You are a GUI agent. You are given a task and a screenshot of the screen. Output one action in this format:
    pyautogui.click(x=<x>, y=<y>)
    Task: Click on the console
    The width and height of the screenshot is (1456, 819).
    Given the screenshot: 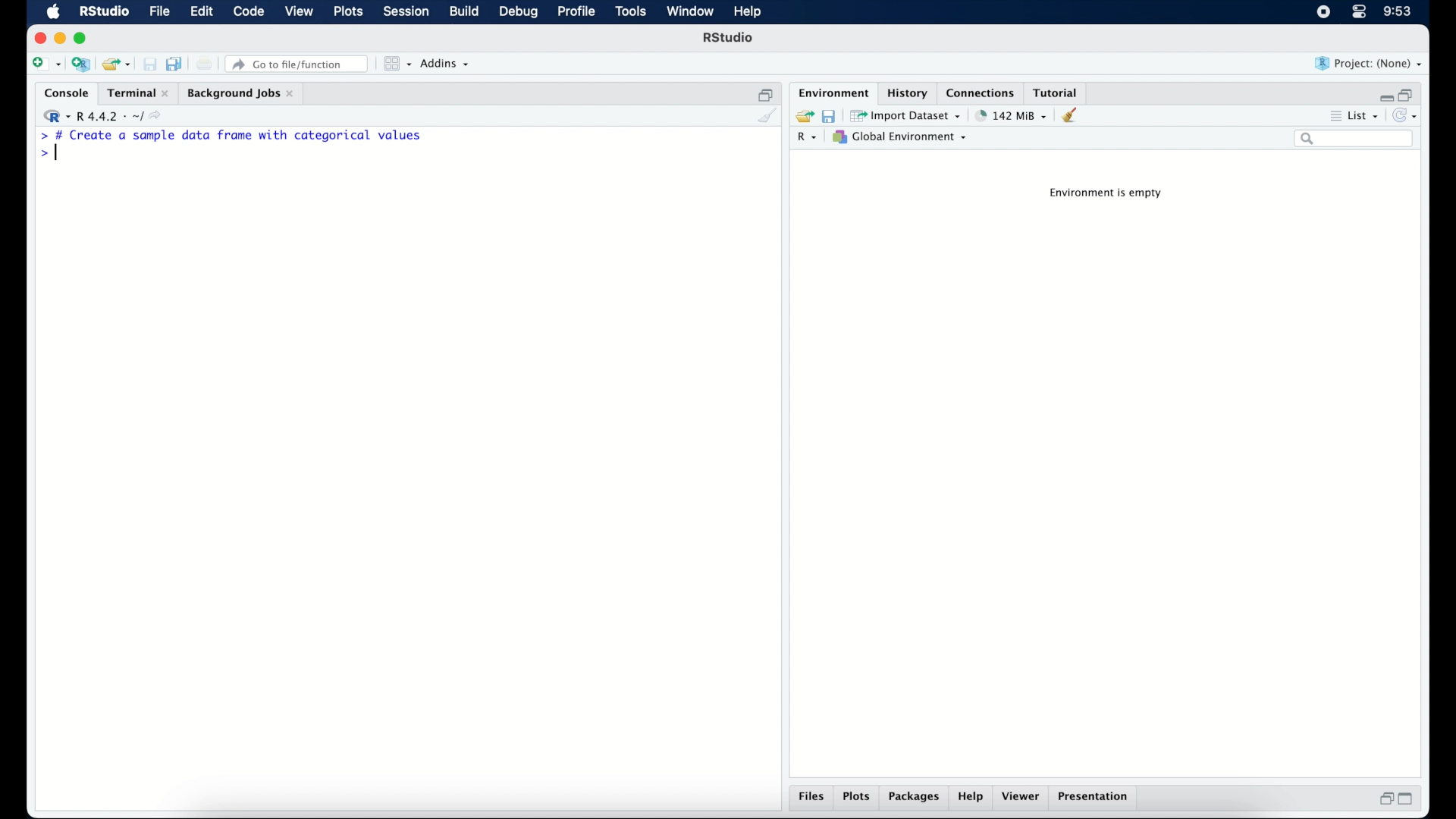 What is the action you would take?
    pyautogui.click(x=63, y=92)
    